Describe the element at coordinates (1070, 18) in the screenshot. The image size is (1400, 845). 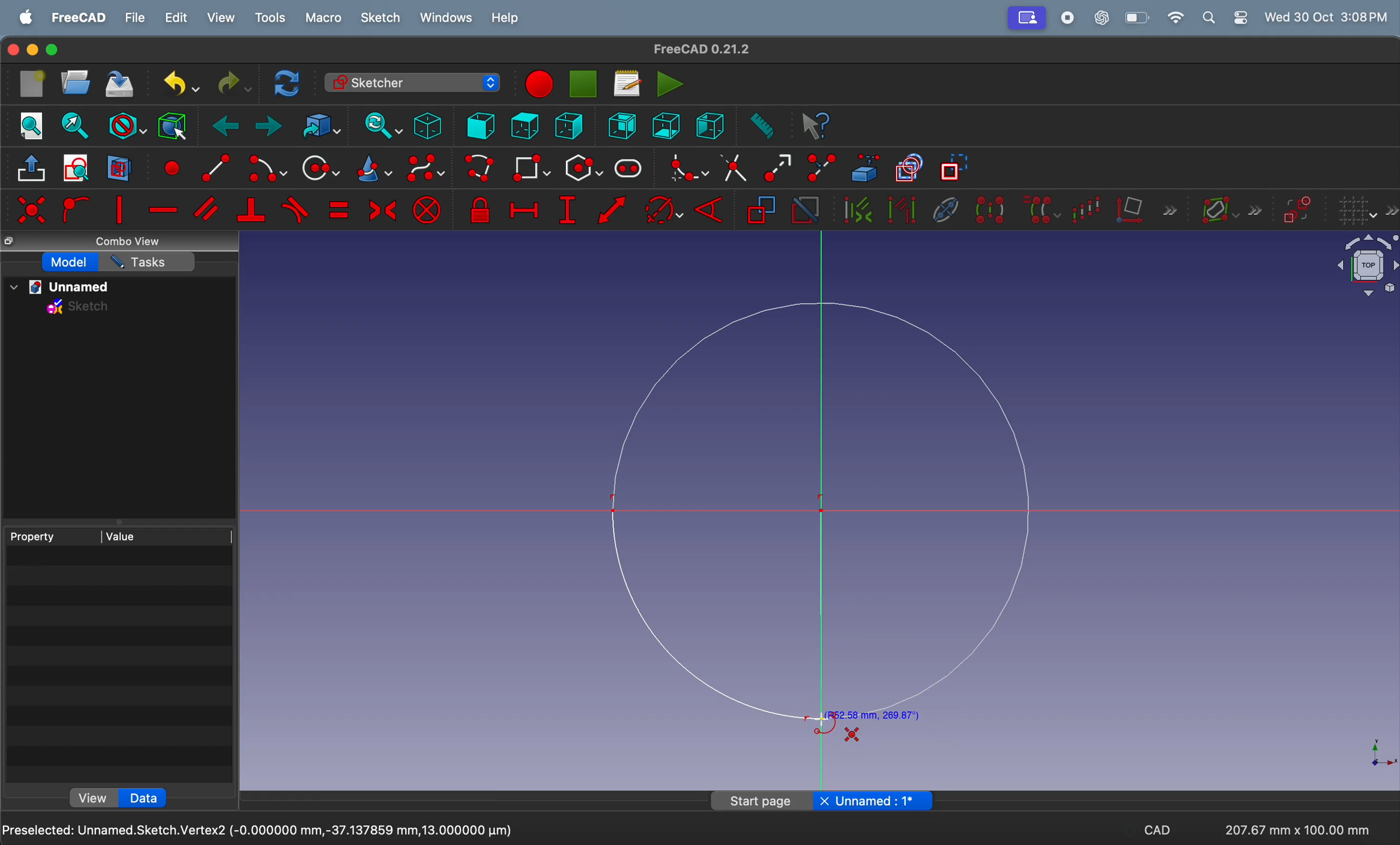
I see `record` at that location.